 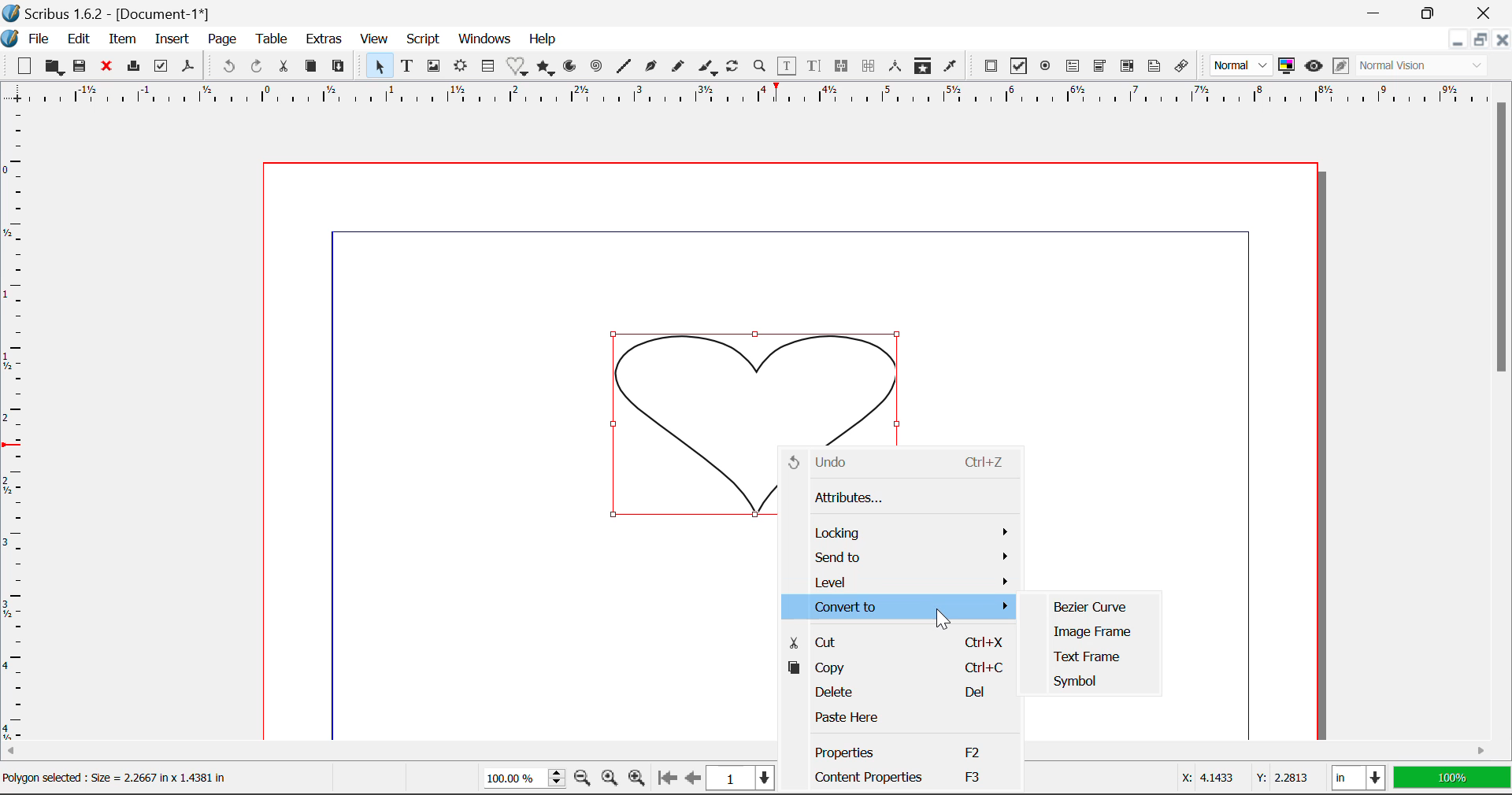 I want to click on Bezier Curve, so click(x=652, y=68).